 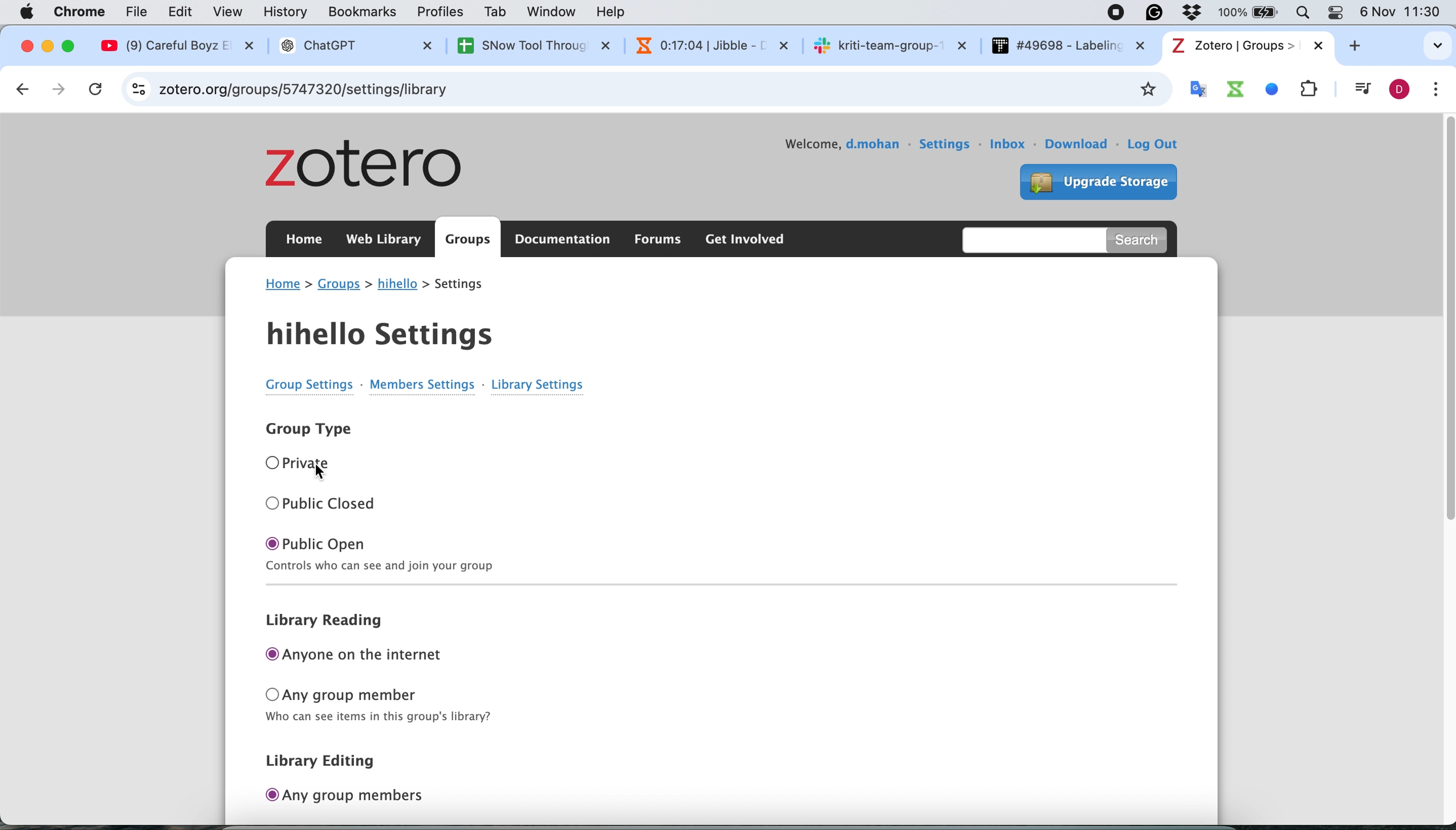 I want to click on forums, so click(x=654, y=240).